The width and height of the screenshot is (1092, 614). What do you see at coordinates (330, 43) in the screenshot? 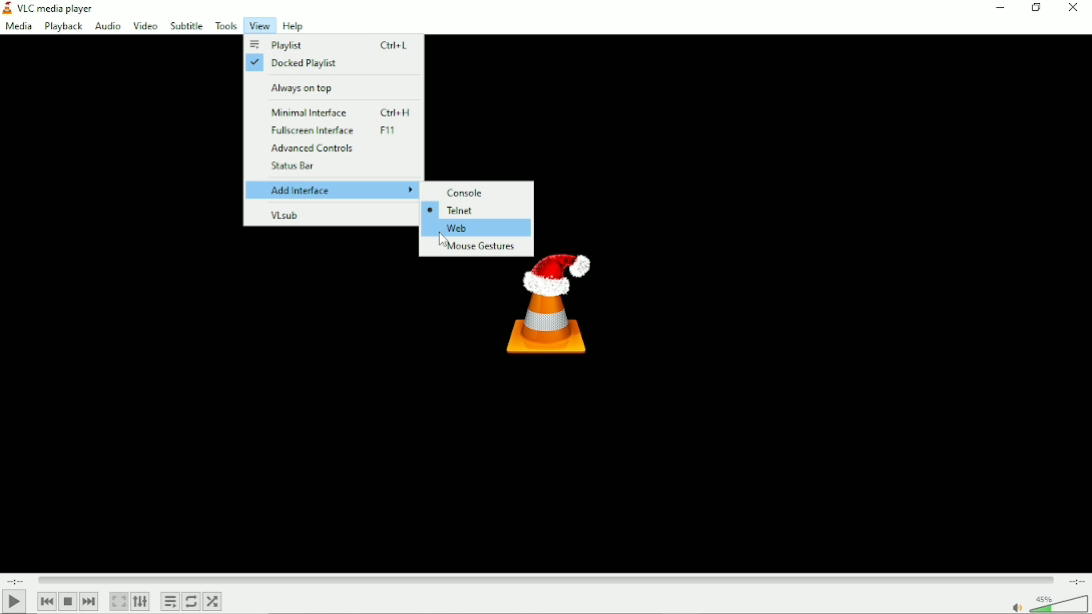
I see `Playlist` at bounding box center [330, 43].